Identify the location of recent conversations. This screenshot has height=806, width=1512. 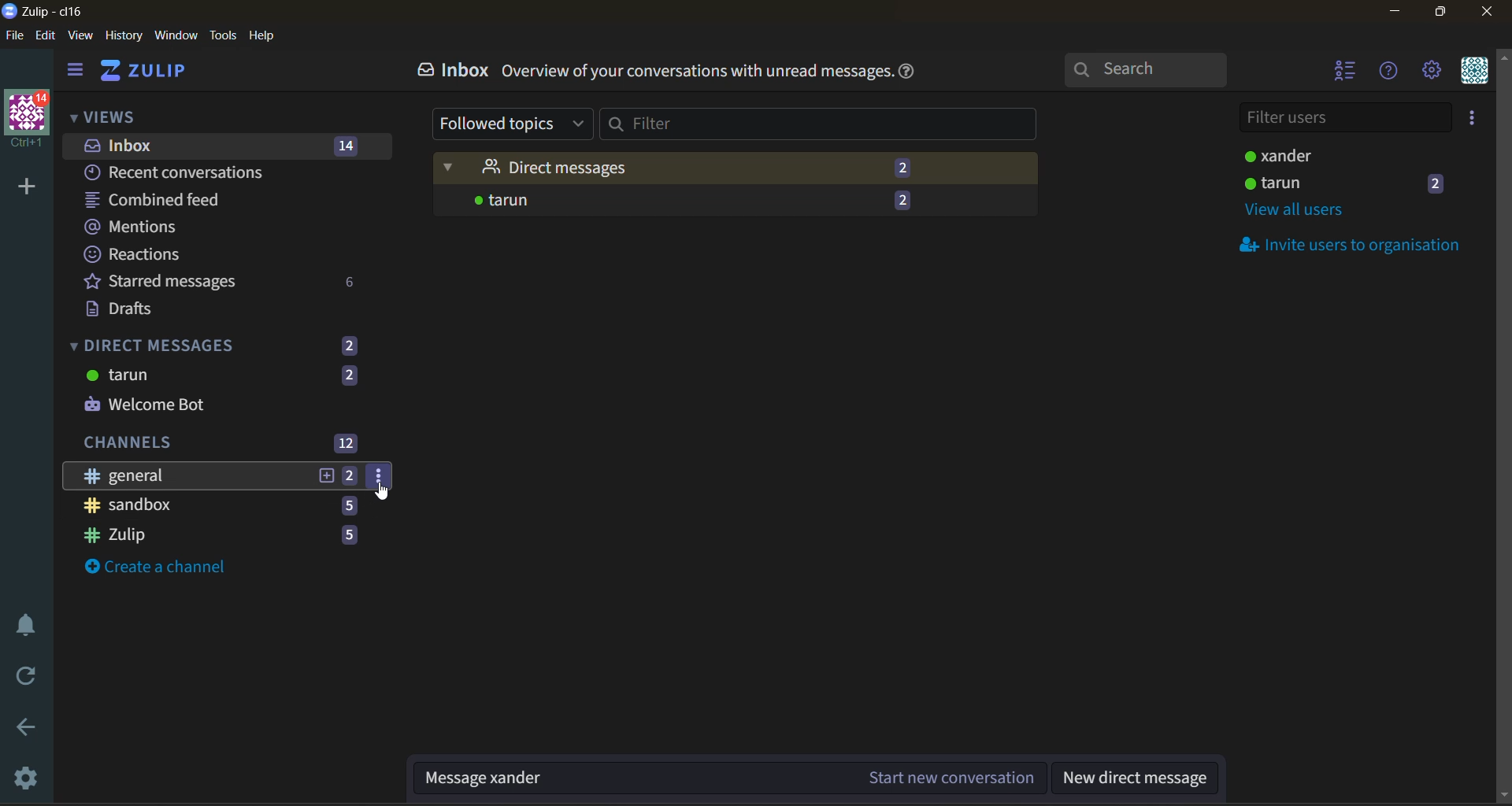
(192, 172).